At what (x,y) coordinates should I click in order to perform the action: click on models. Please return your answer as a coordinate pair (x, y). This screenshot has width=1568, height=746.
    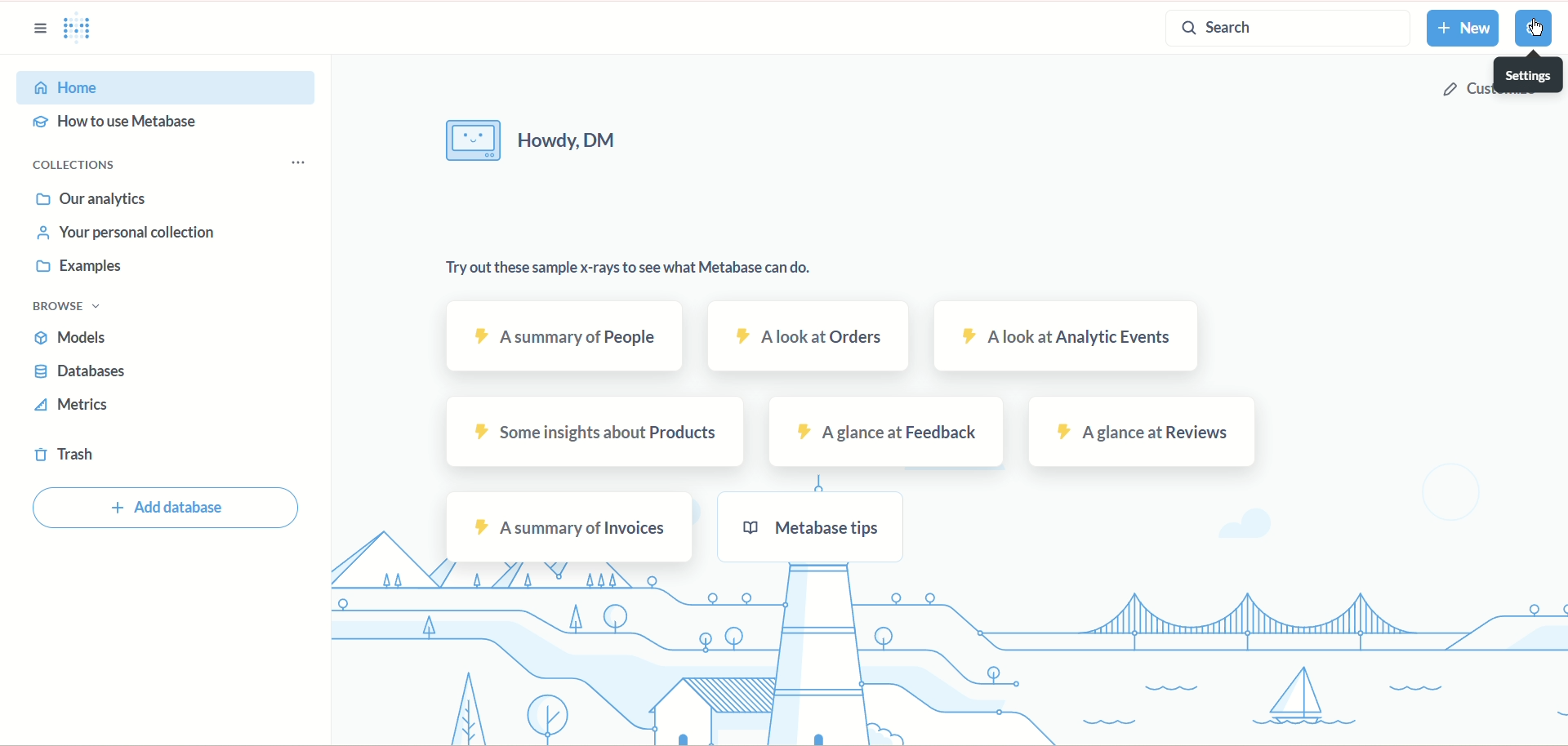
    Looking at the image, I should click on (73, 338).